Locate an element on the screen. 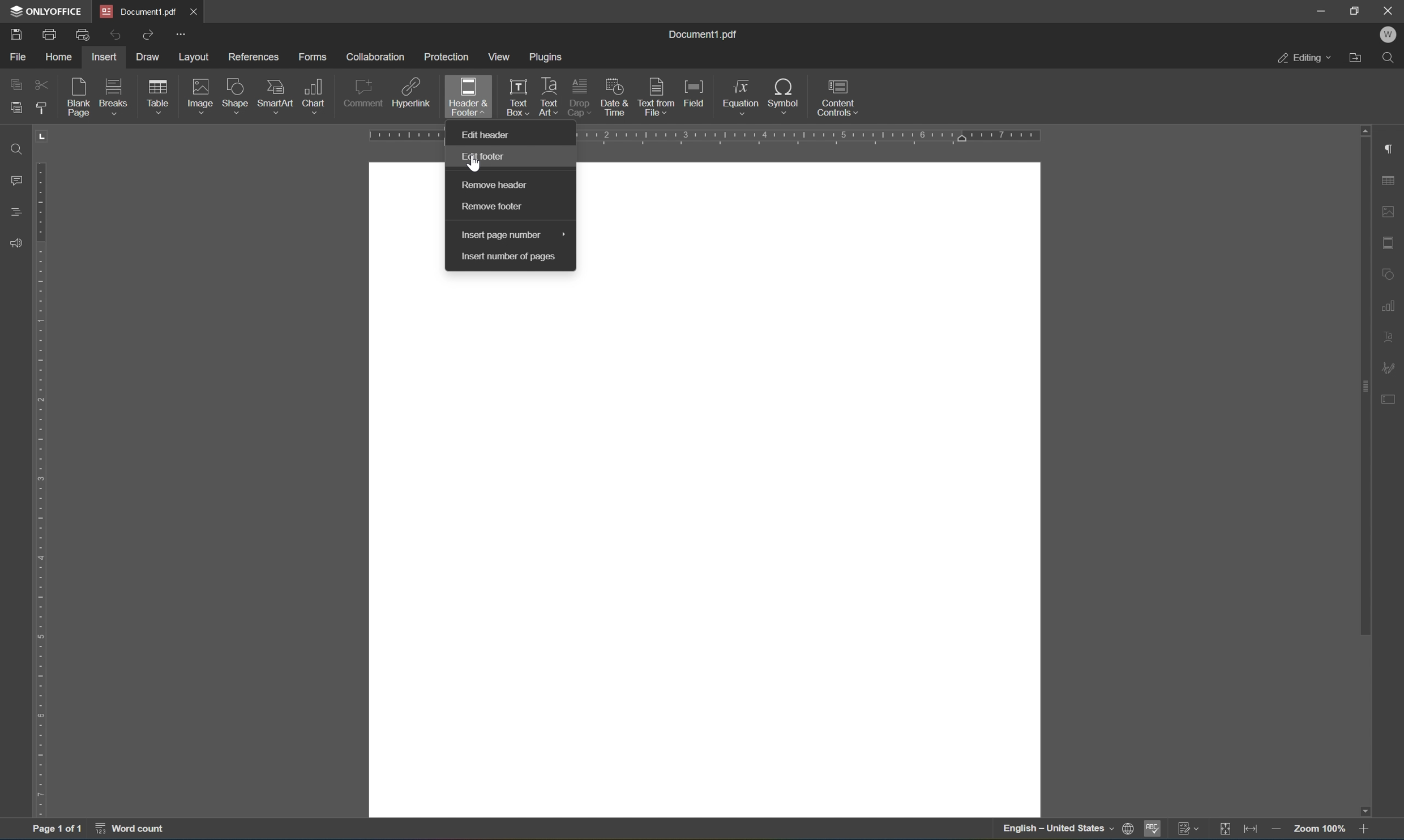  insert number of pages is located at coordinates (509, 256).